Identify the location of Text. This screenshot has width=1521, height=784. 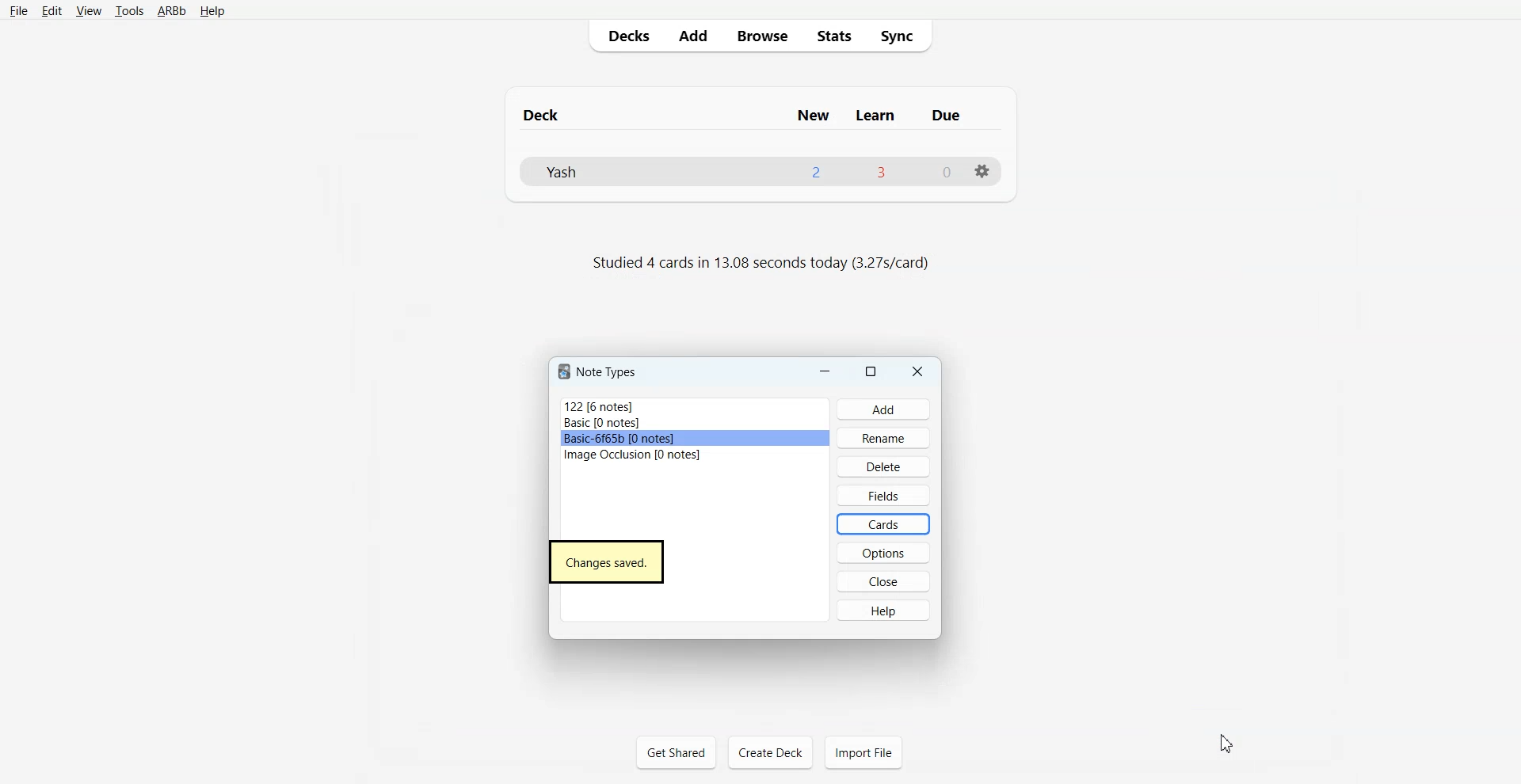
(608, 562).